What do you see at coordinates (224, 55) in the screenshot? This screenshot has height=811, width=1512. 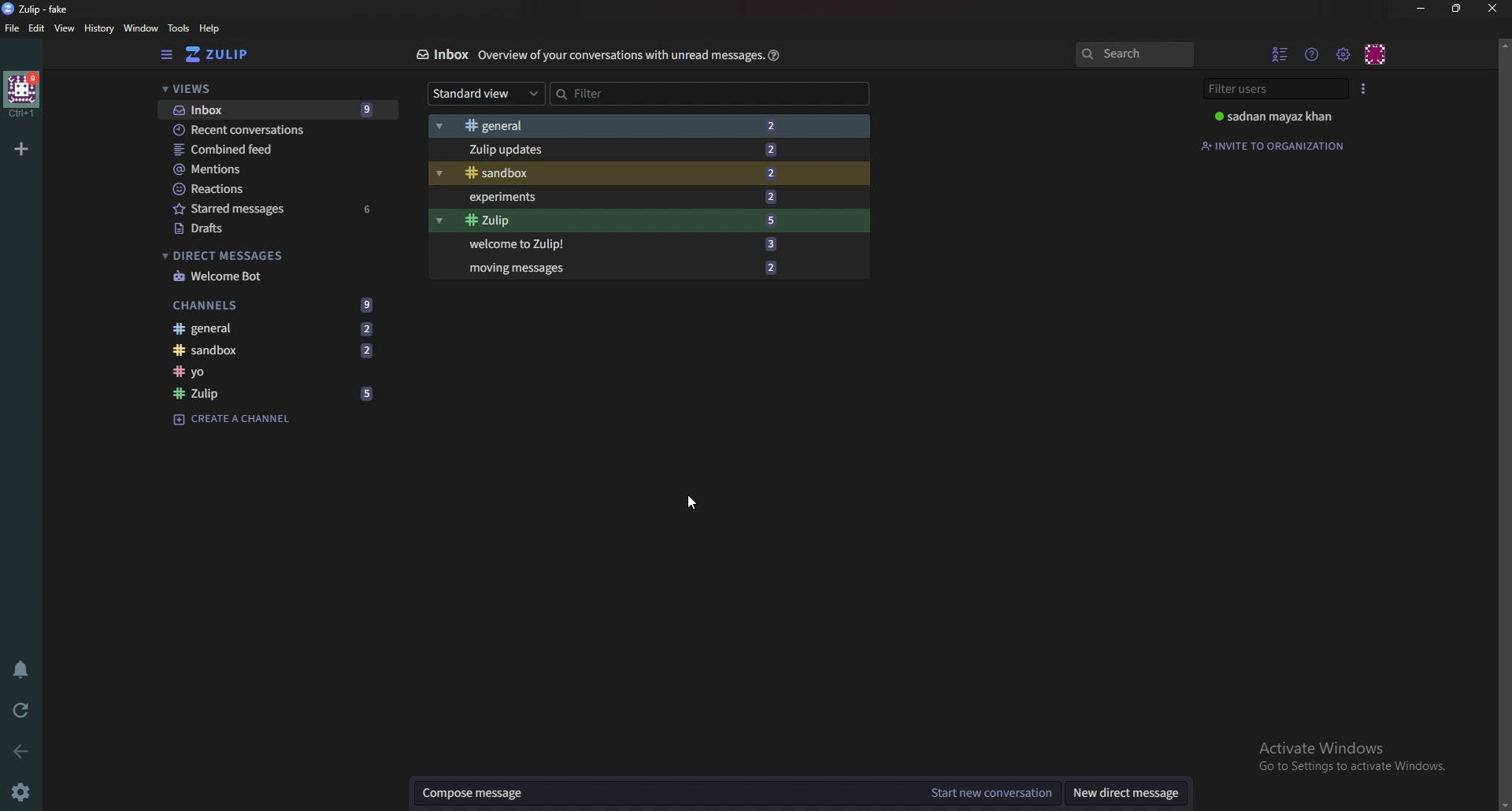 I see `Change to home view` at bounding box center [224, 55].